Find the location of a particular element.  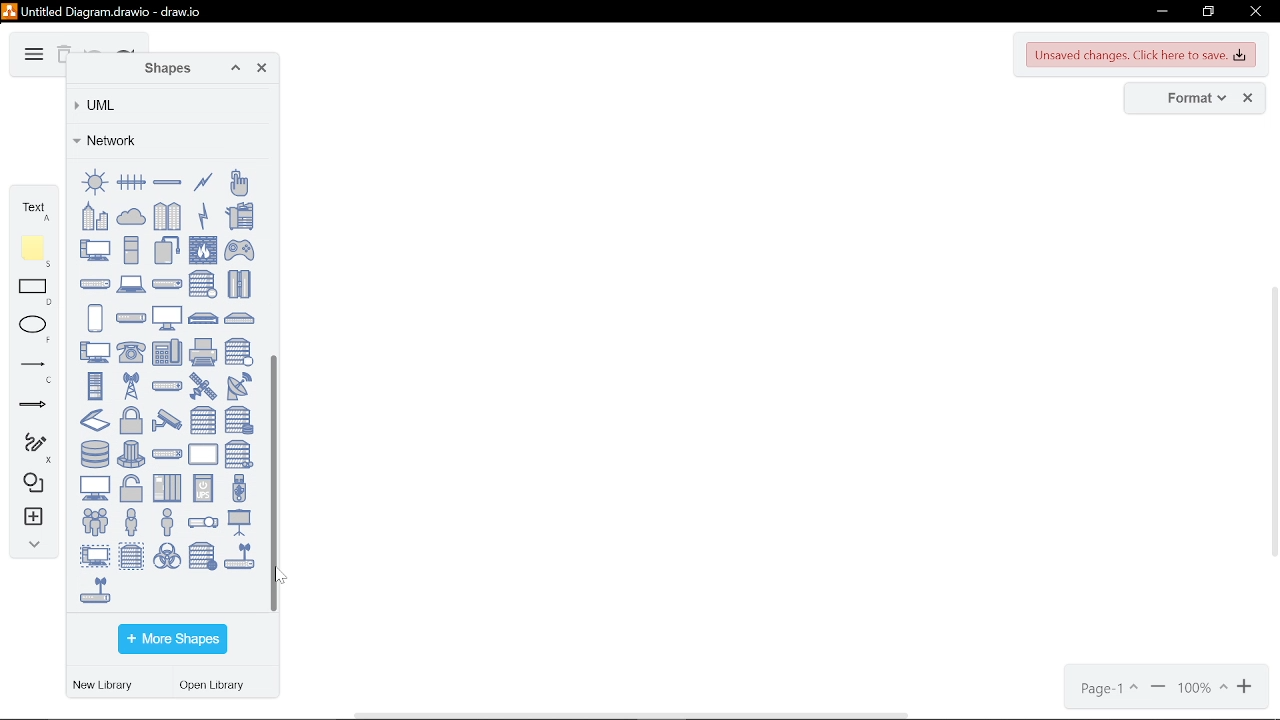

external storage is located at coordinates (167, 249).